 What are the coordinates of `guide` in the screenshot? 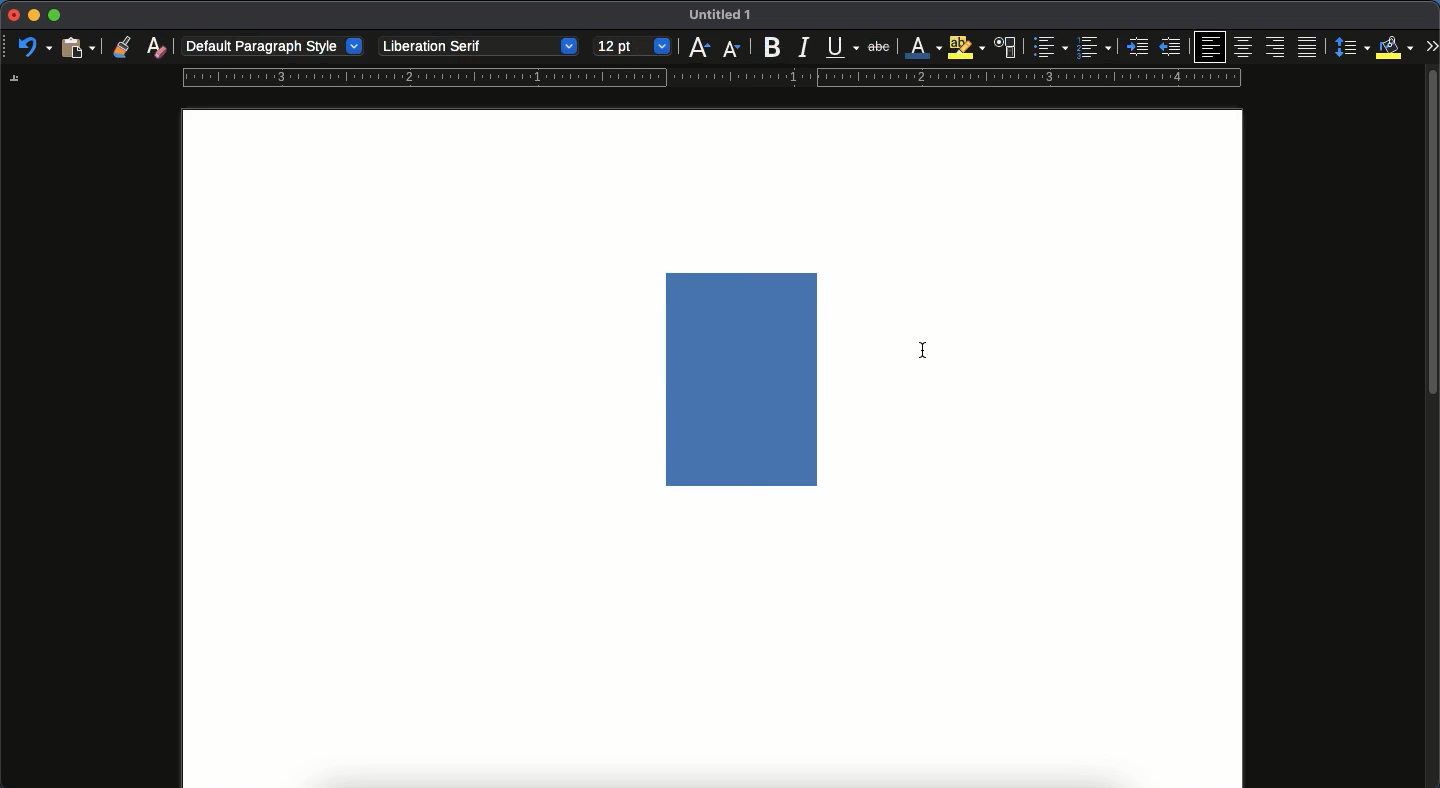 It's located at (711, 78).